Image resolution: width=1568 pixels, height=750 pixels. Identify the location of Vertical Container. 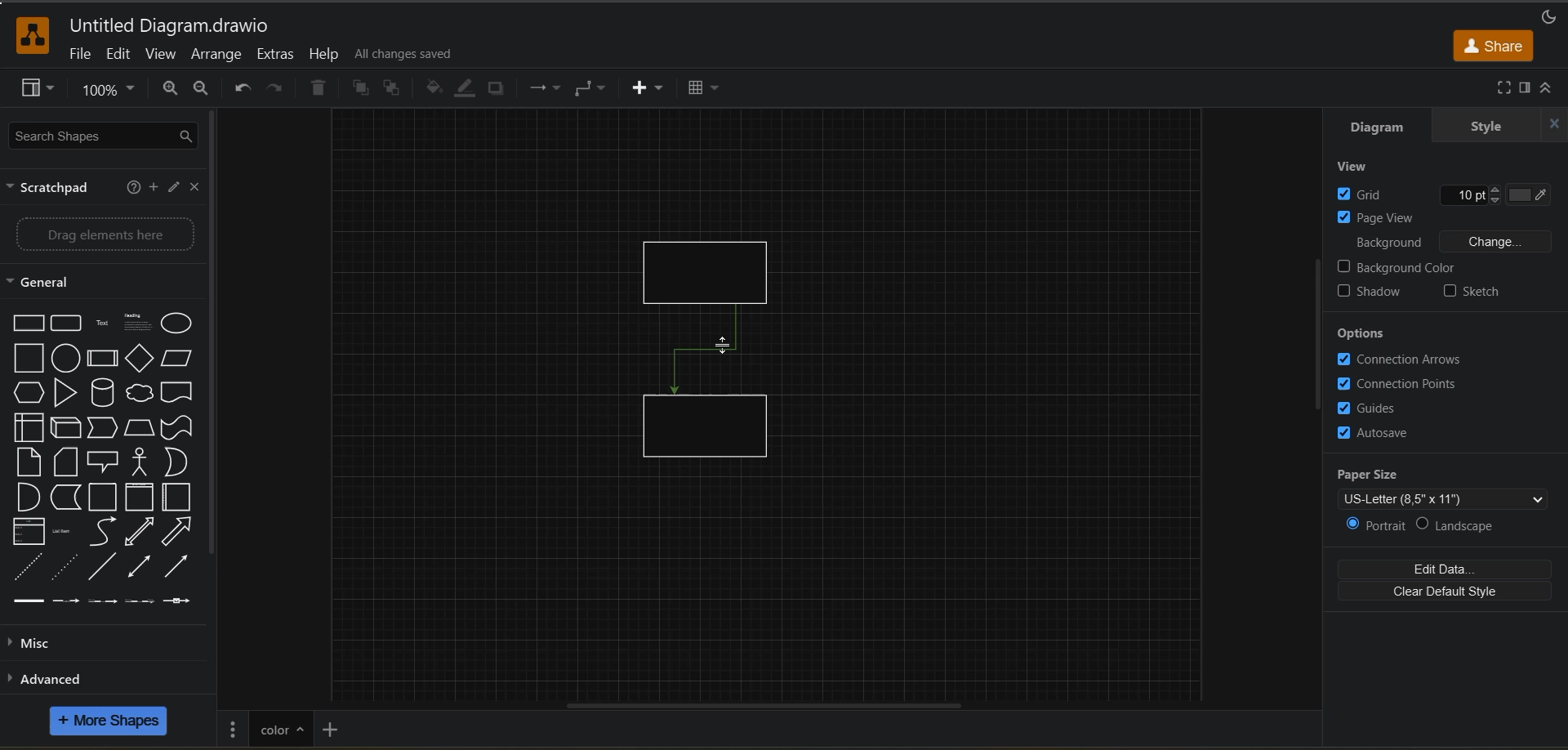
(142, 498).